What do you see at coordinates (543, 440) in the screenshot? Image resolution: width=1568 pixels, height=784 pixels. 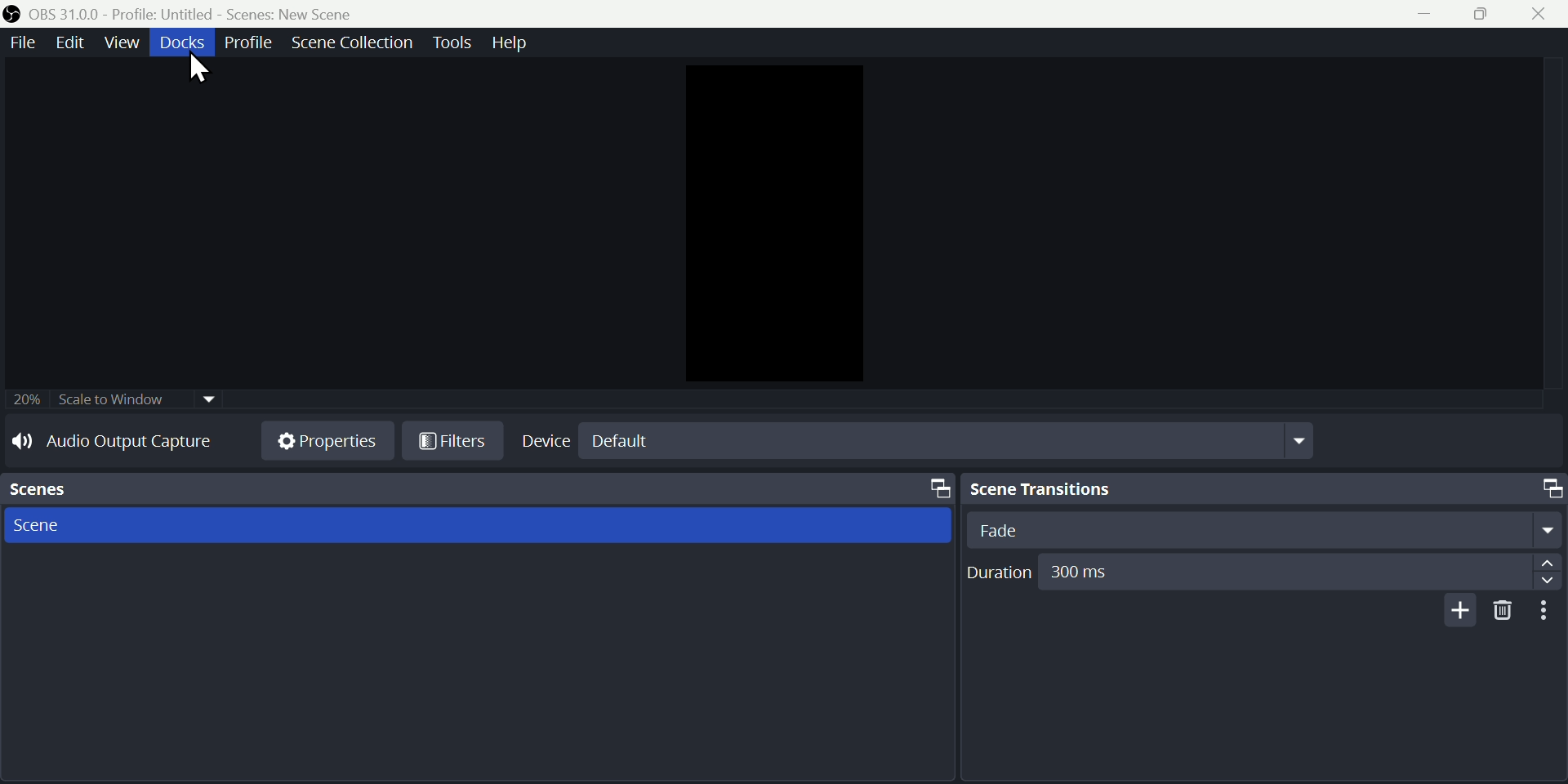 I see `Device` at bounding box center [543, 440].